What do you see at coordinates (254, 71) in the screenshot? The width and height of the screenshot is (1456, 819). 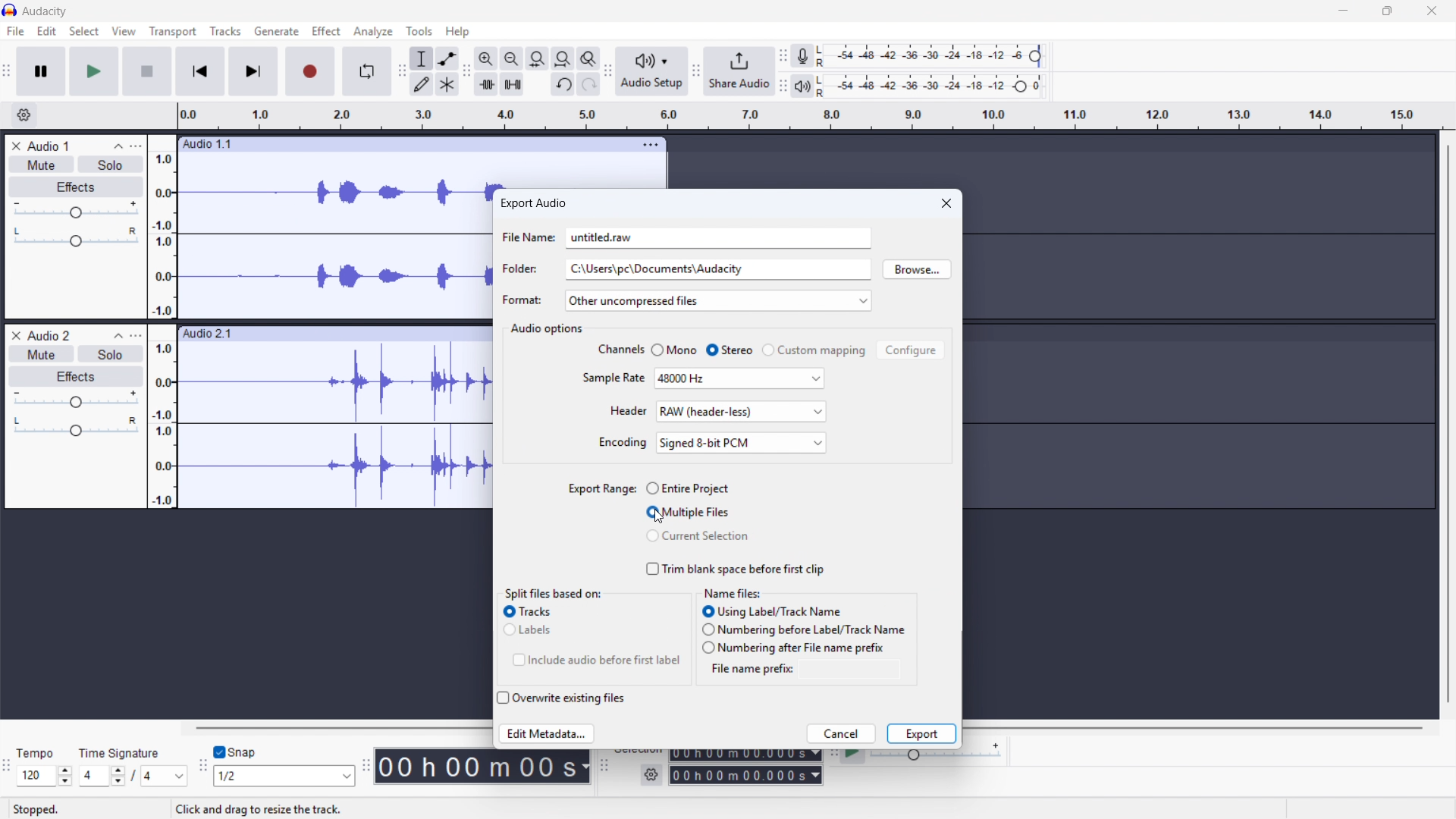 I see `Skip to last ` at bounding box center [254, 71].